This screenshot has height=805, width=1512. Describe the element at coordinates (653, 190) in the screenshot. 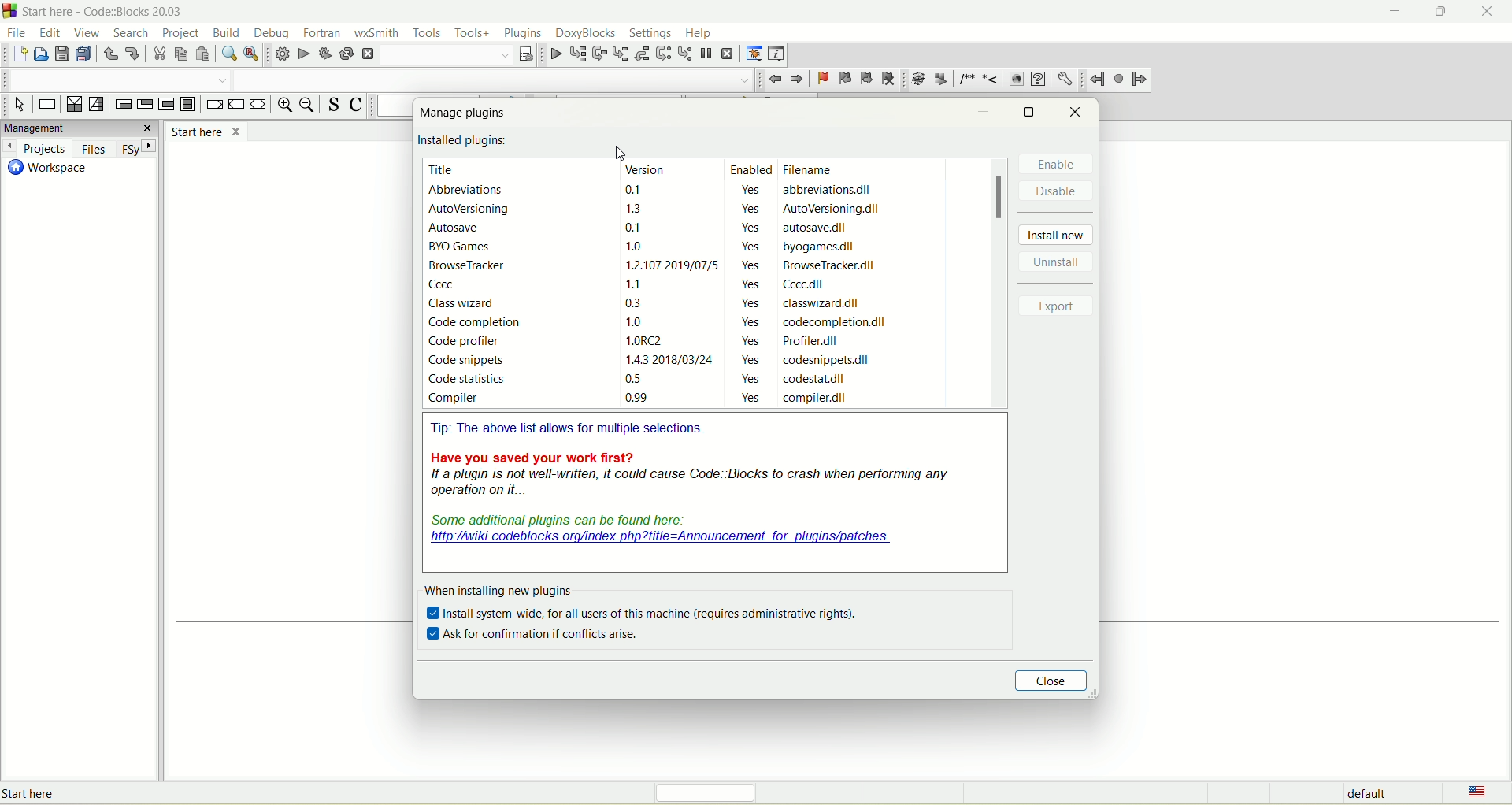

I see `| Abbreviations 0.1 Yes  abbreviations.dll` at that location.